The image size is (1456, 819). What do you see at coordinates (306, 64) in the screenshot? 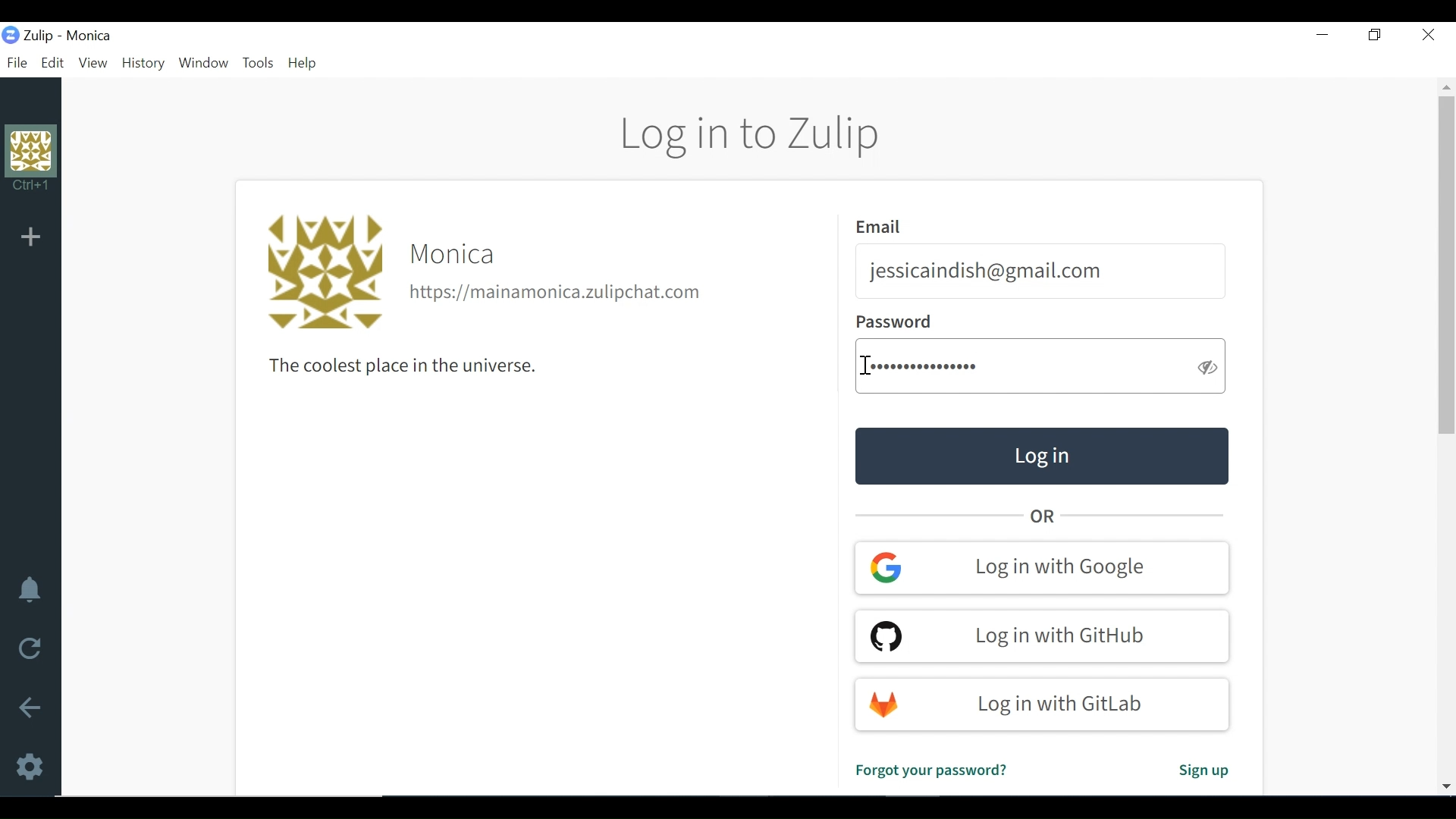
I see `Help` at bounding box center [306, 64].